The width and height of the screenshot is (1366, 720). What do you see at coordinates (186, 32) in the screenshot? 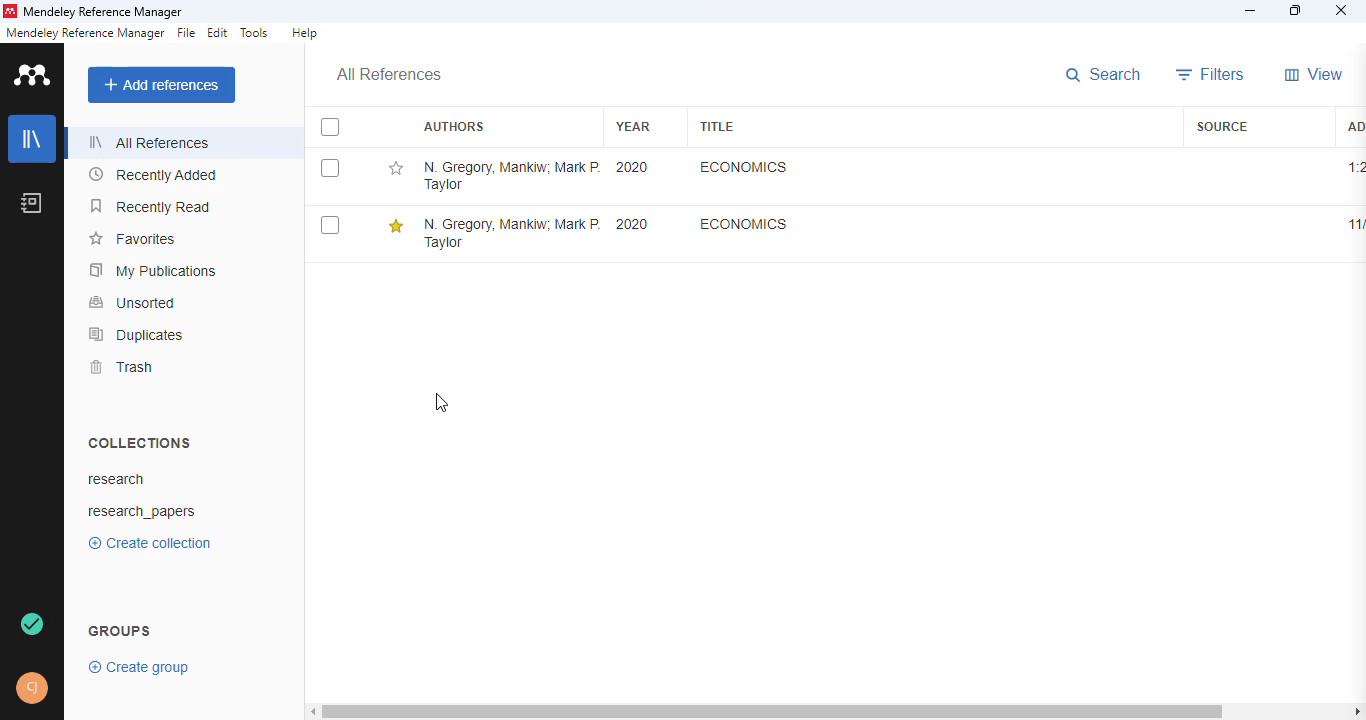
I see `file` at bounding box center [186, 32].